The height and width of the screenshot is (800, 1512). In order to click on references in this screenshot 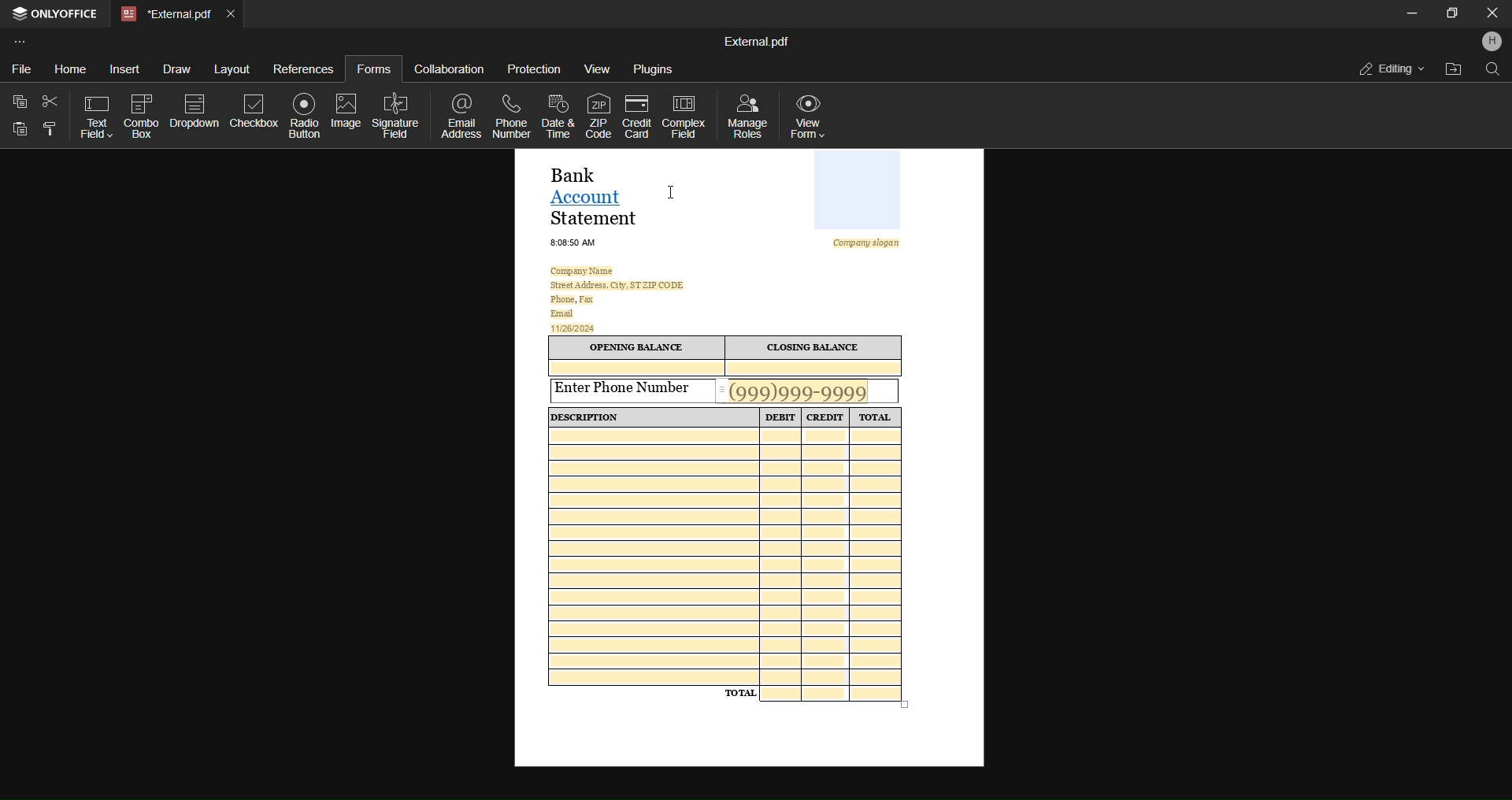, I will do `click(302, 67)`.